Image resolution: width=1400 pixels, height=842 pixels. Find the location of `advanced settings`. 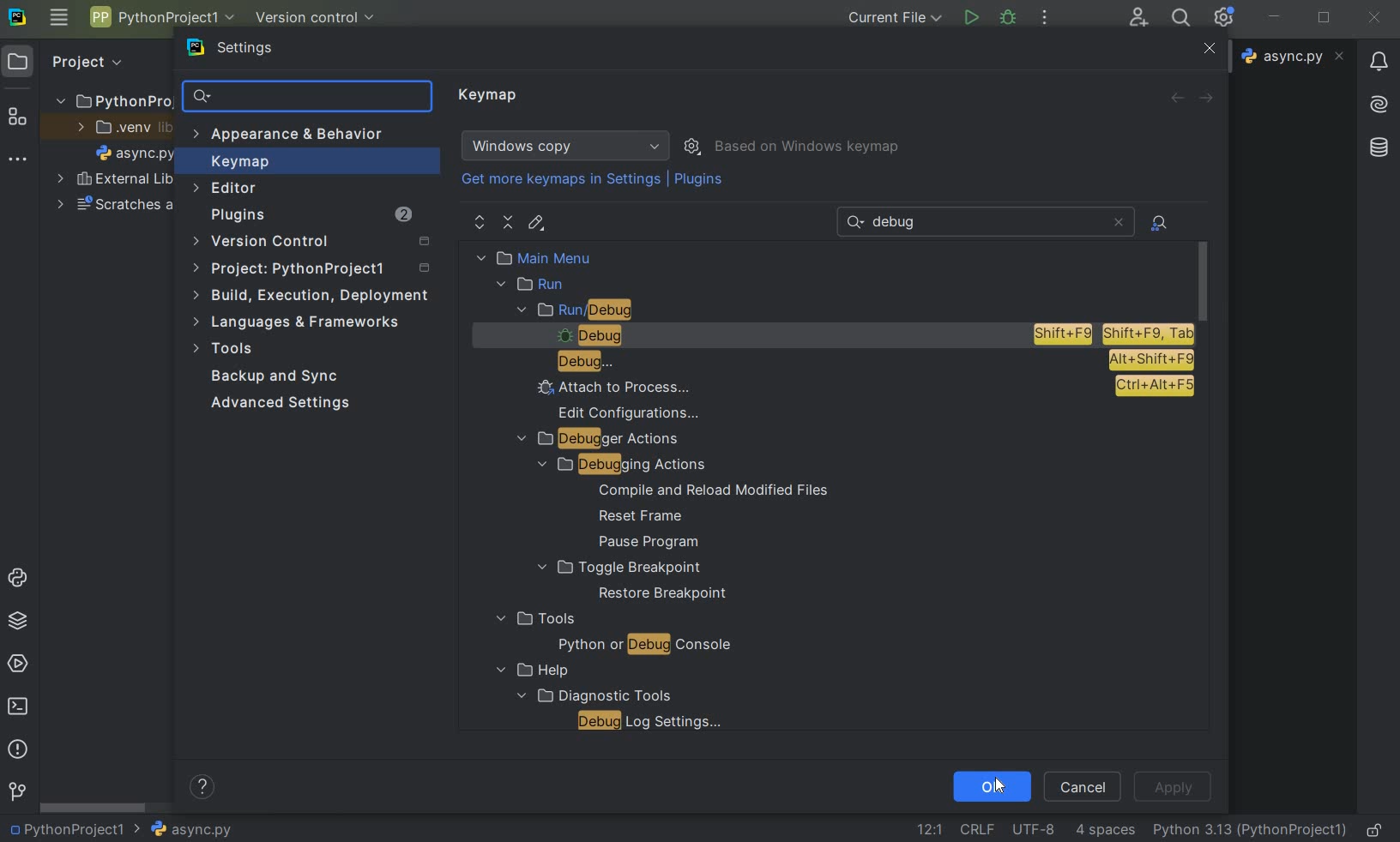

advanced settings is located at coordinates (277, 403).